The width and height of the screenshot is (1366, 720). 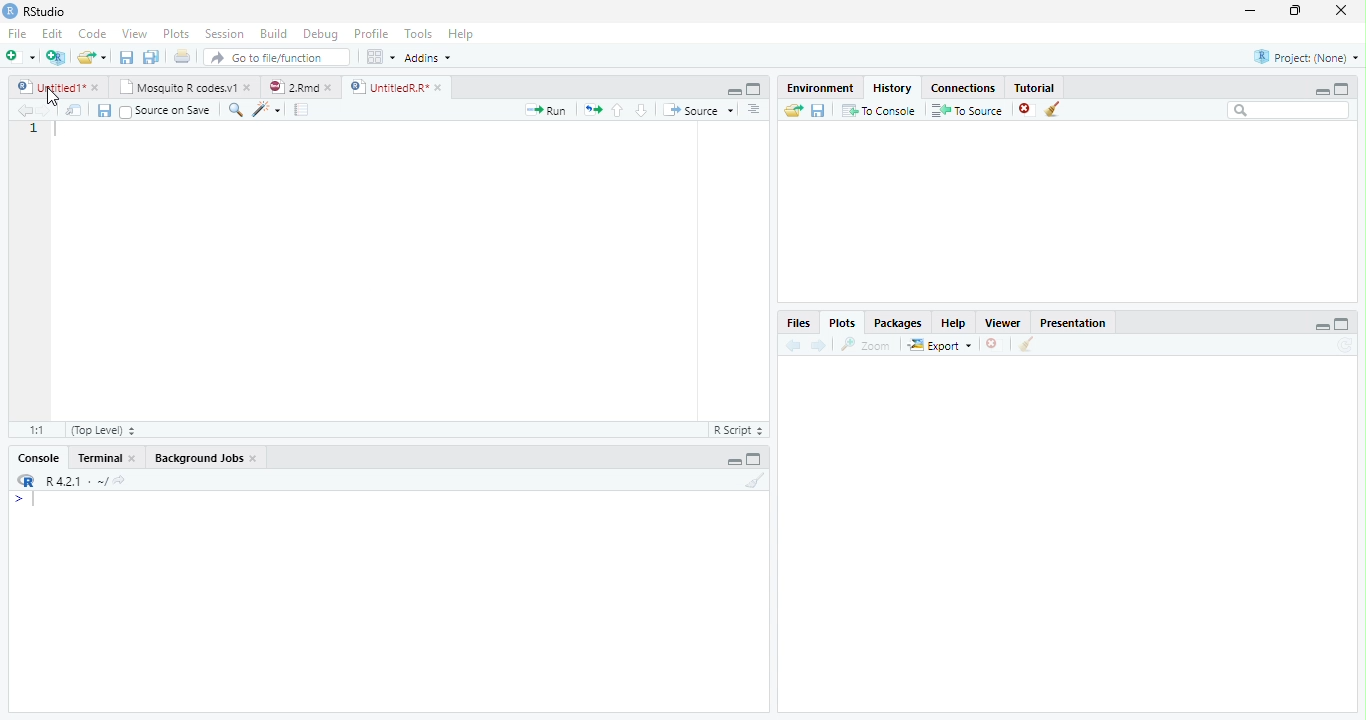 I want to click on re-run the previous code, so click(x=592, y=109).